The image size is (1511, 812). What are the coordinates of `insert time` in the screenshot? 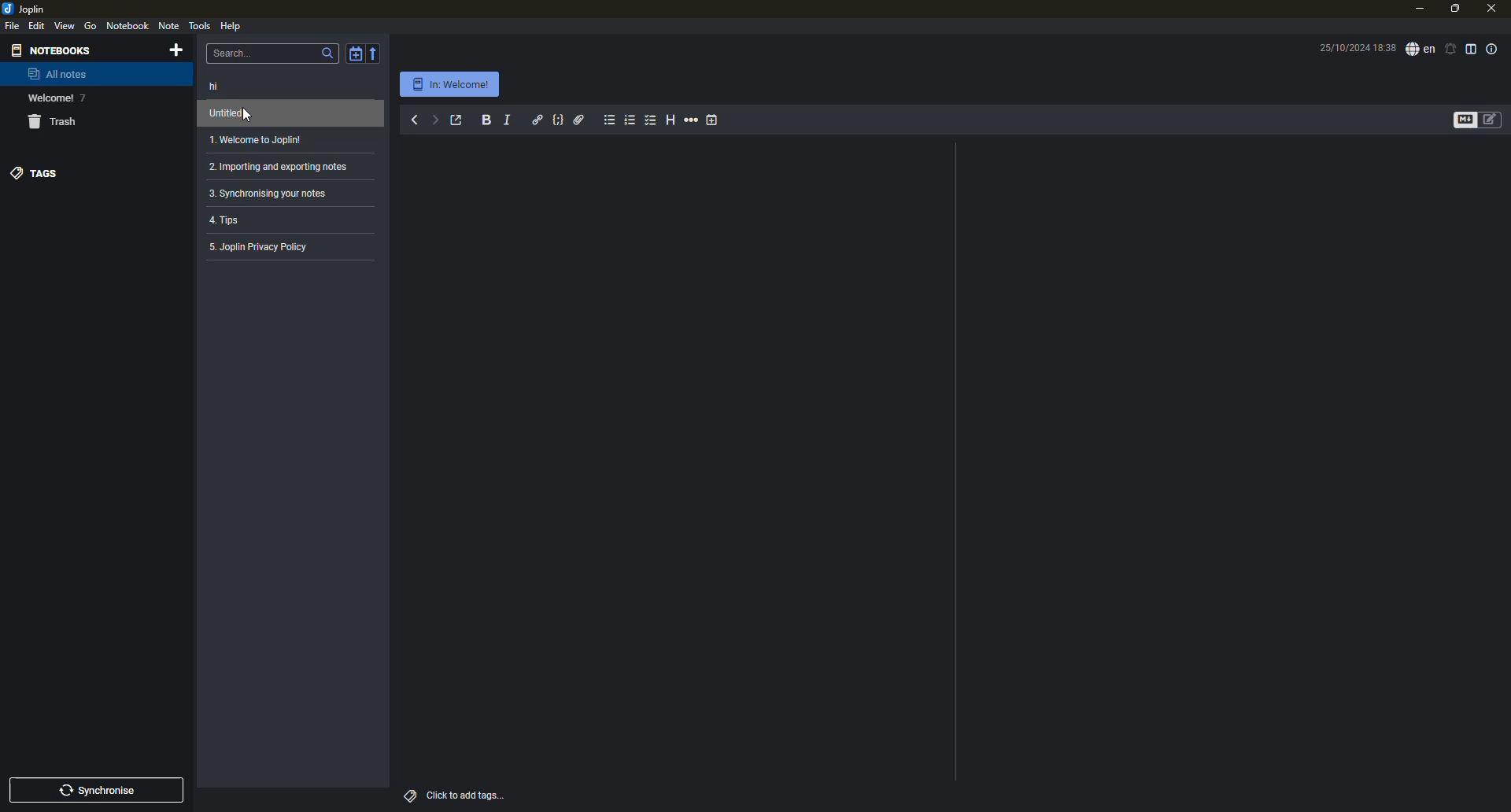 It's located at (714, 120).